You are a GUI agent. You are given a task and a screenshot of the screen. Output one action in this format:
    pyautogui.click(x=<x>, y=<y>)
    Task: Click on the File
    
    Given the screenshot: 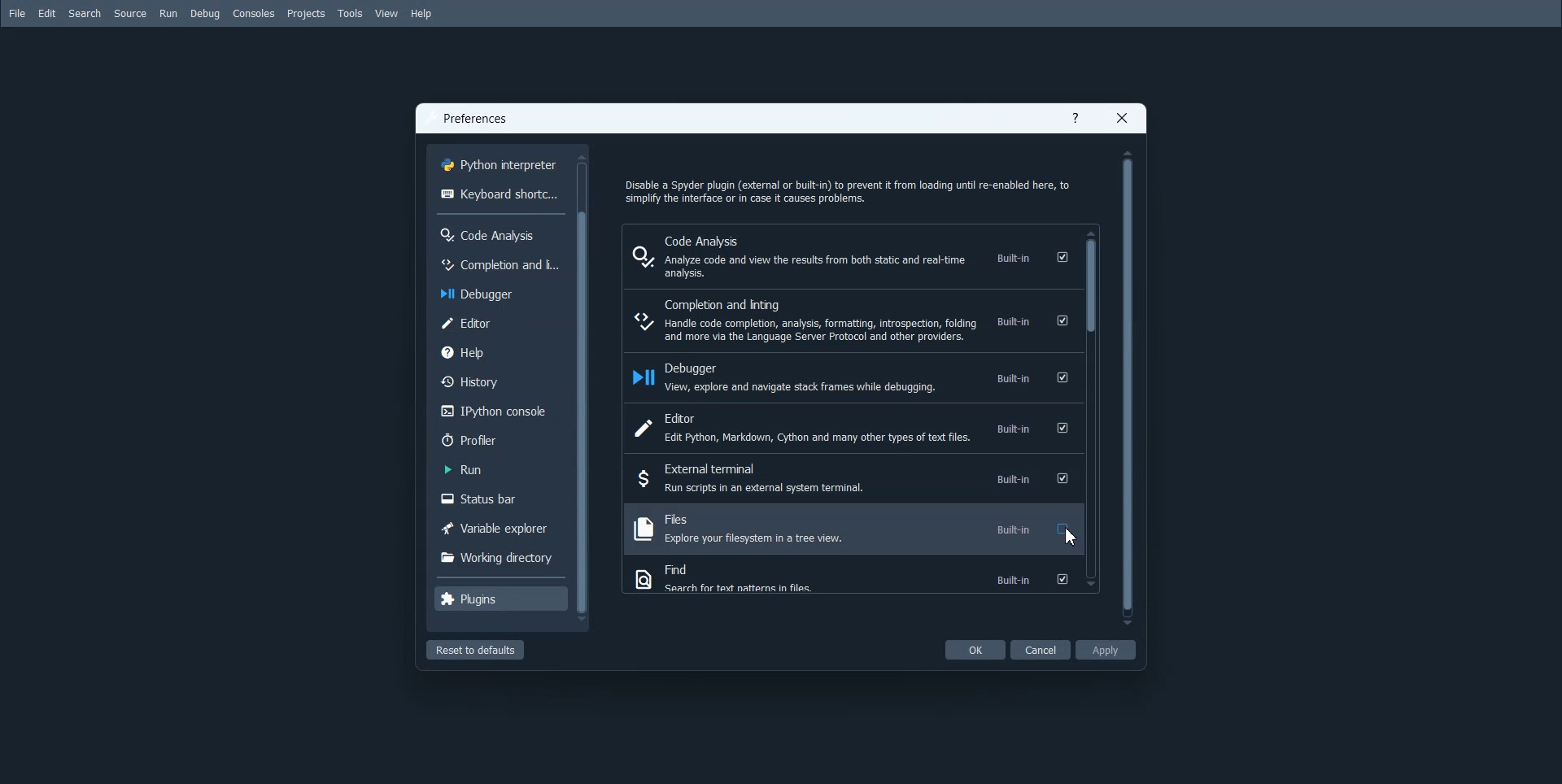 What is the action you would take?
    pyautogui.click(x=17, y=13)
    